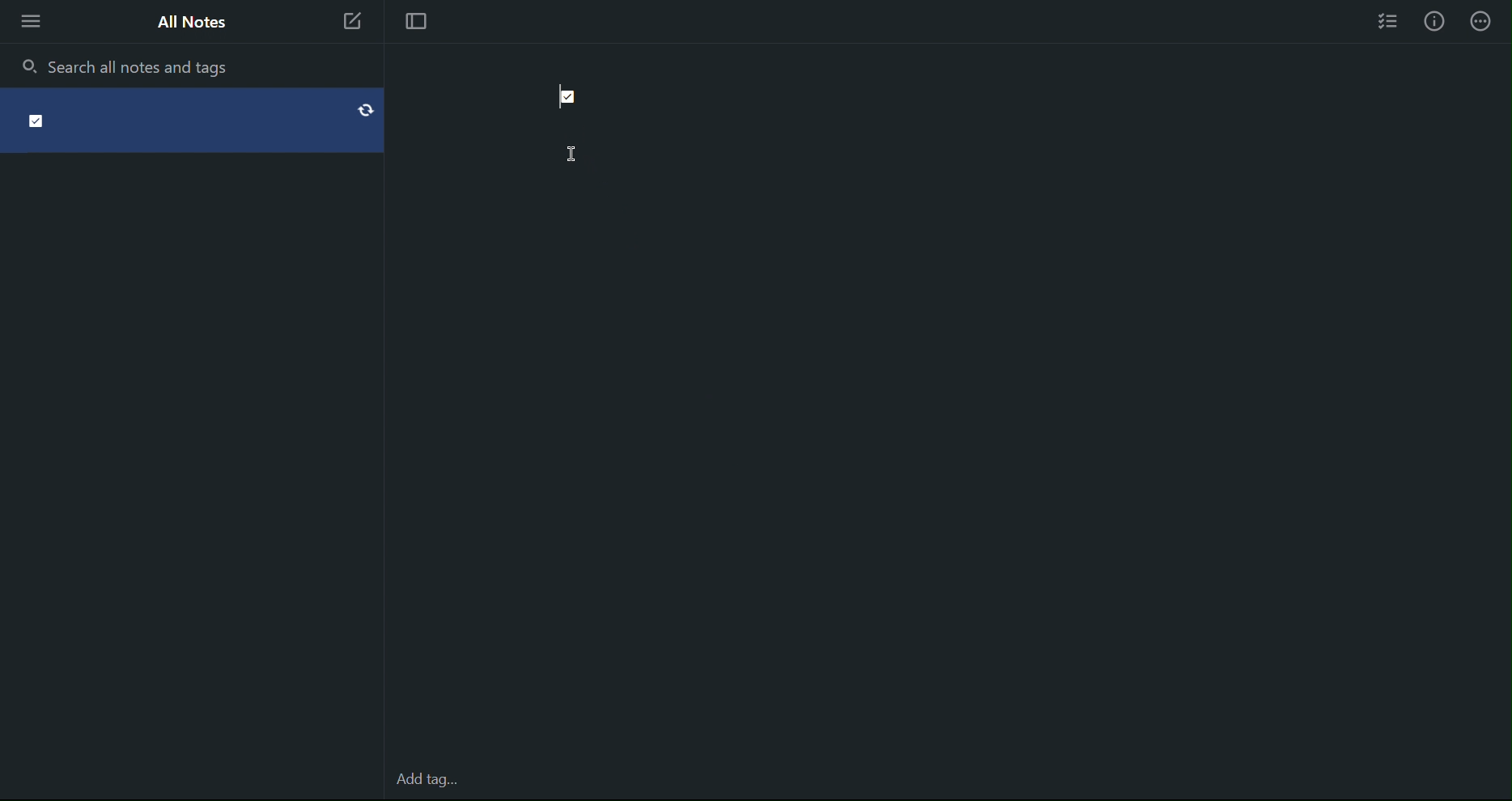 The width and height of the screenshot is (1512, 801). What do you see at coordinates (36, 121) in the screenshot?
I see `Check point` at bounding box center [36, 121].